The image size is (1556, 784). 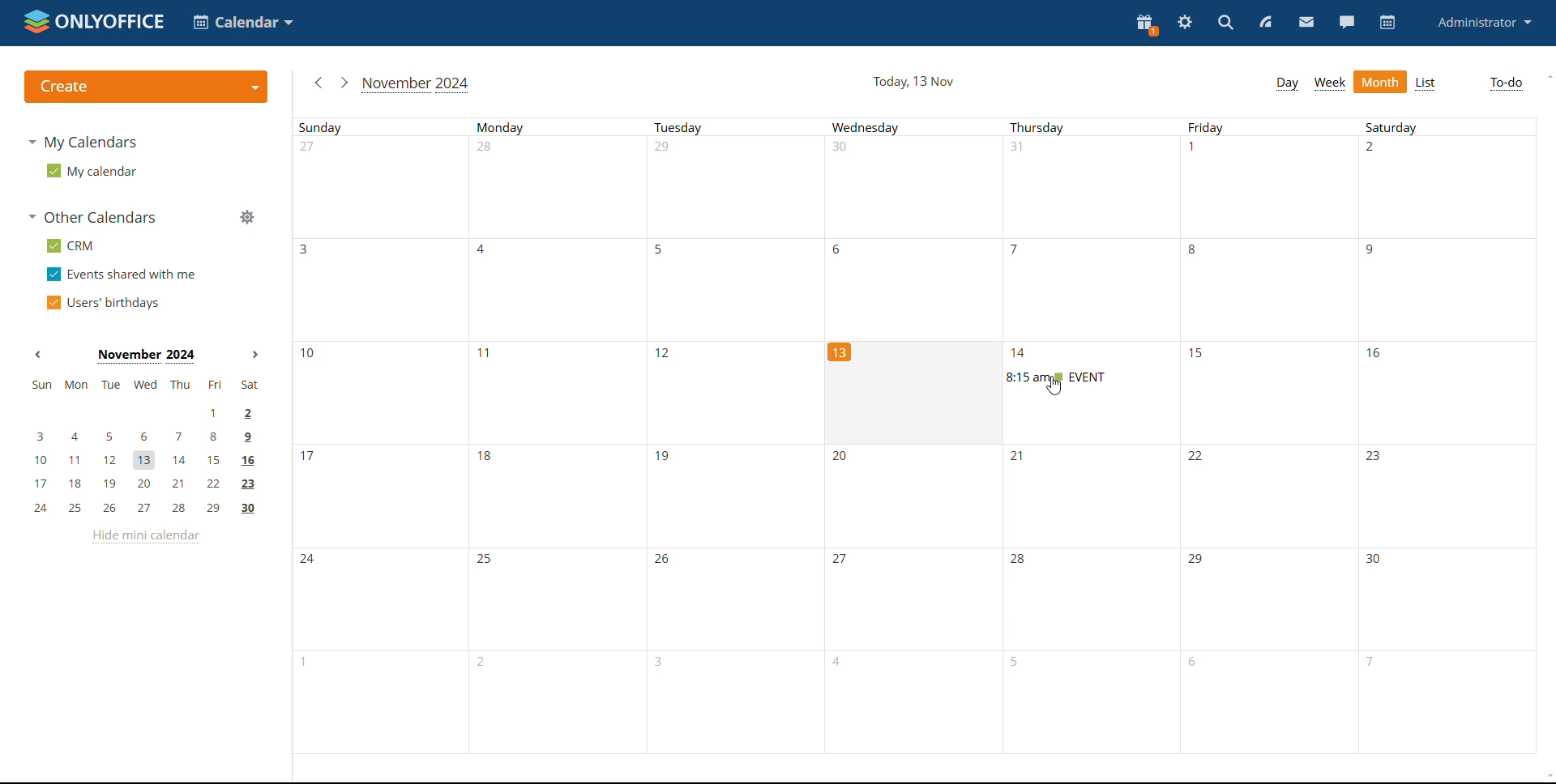 I want to click on mini calendar, so click(x=143, y=449).